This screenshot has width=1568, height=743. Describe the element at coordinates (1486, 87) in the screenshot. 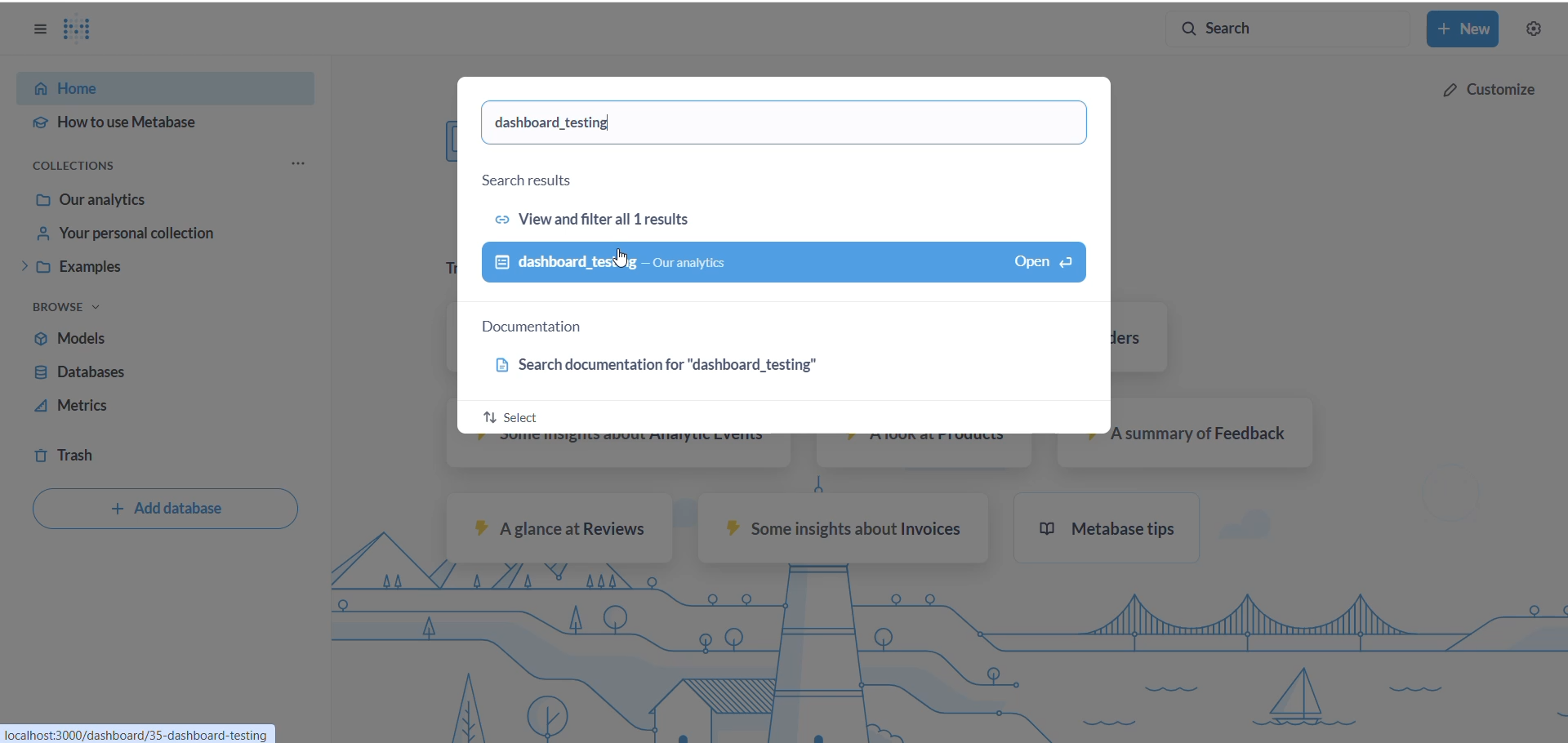

I see `customize` at that location.